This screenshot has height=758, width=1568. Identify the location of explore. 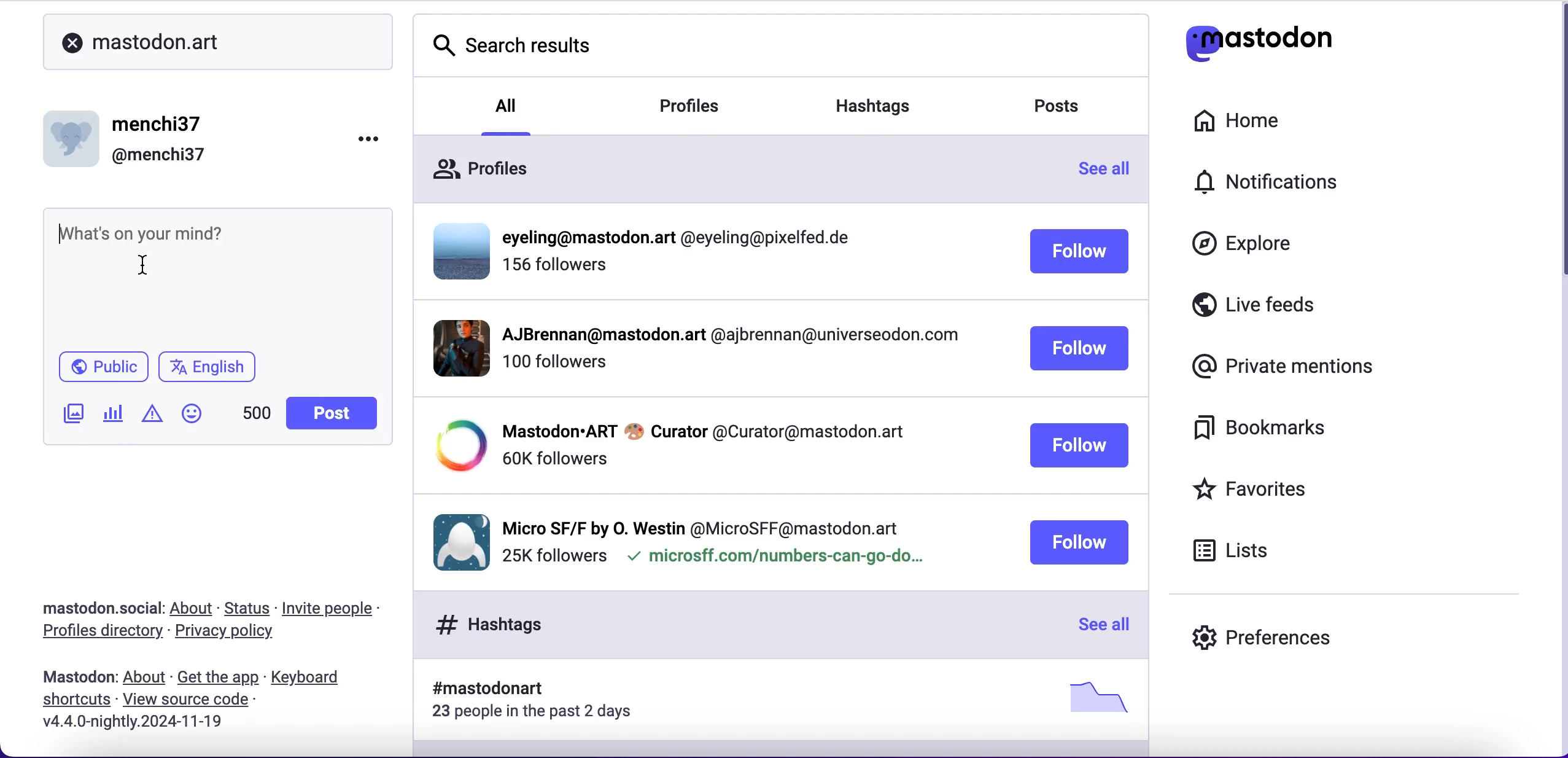
(1246, 249).